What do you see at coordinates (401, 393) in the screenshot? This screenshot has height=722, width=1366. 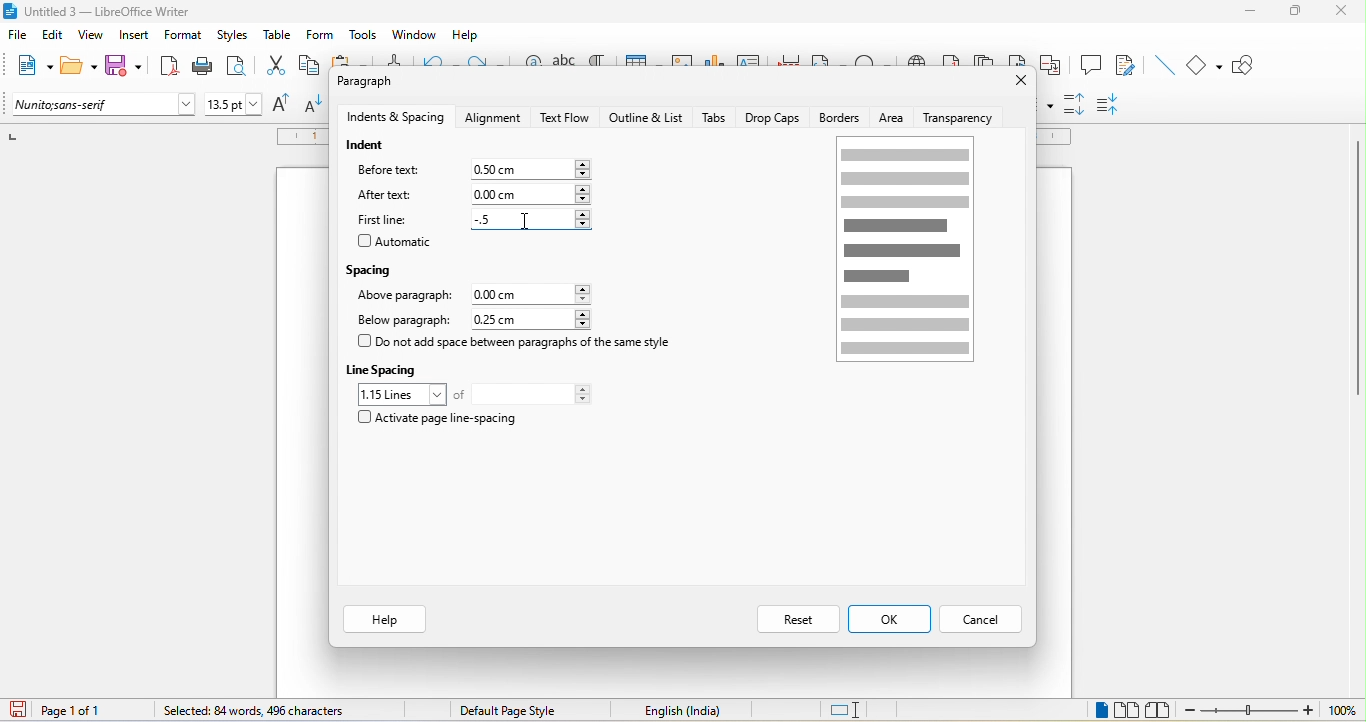 I see `1.15 loines` at bounding box center [401, 393].